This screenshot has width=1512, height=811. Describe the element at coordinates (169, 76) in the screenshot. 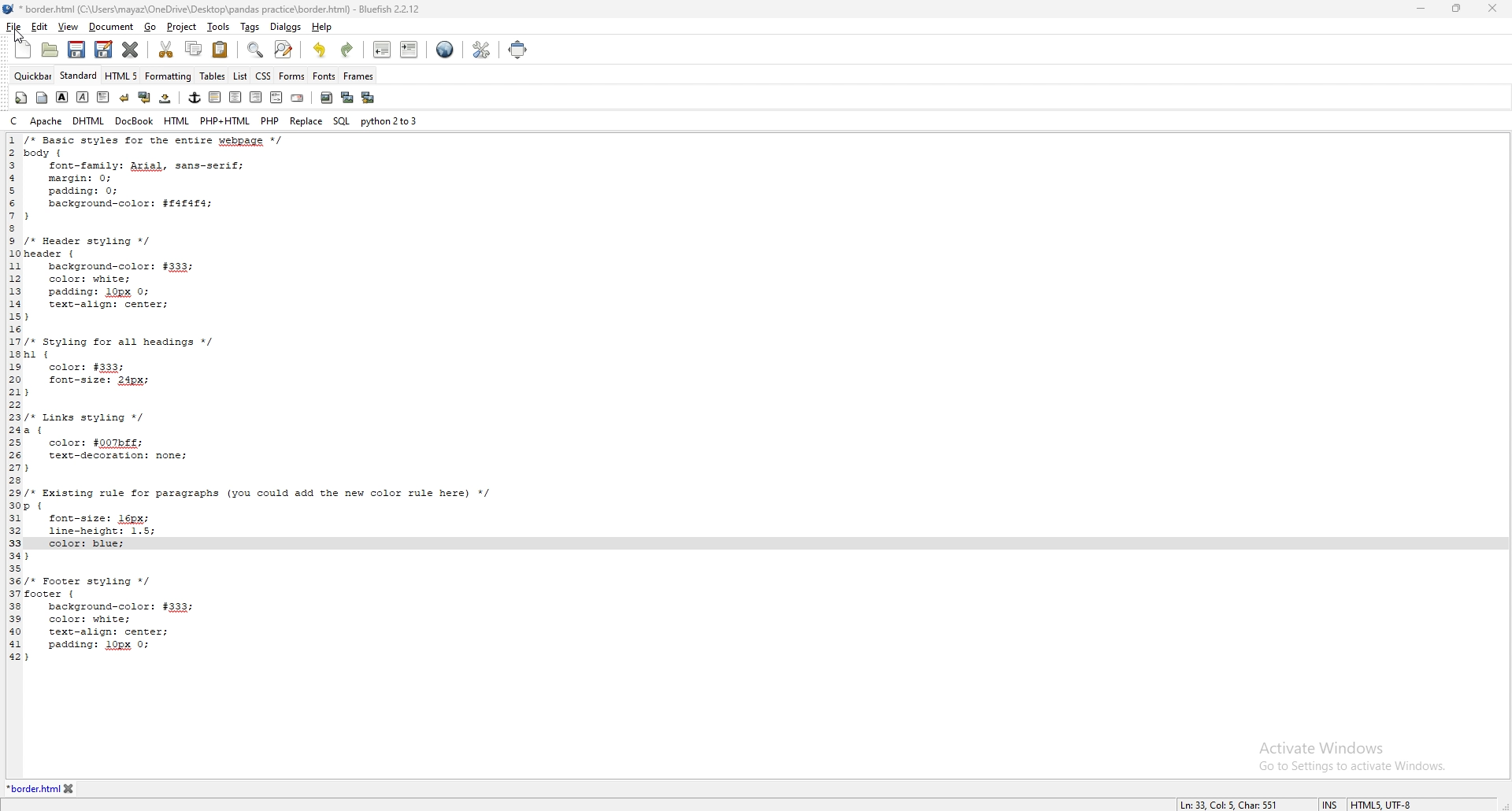

I see `formatting` at that location.